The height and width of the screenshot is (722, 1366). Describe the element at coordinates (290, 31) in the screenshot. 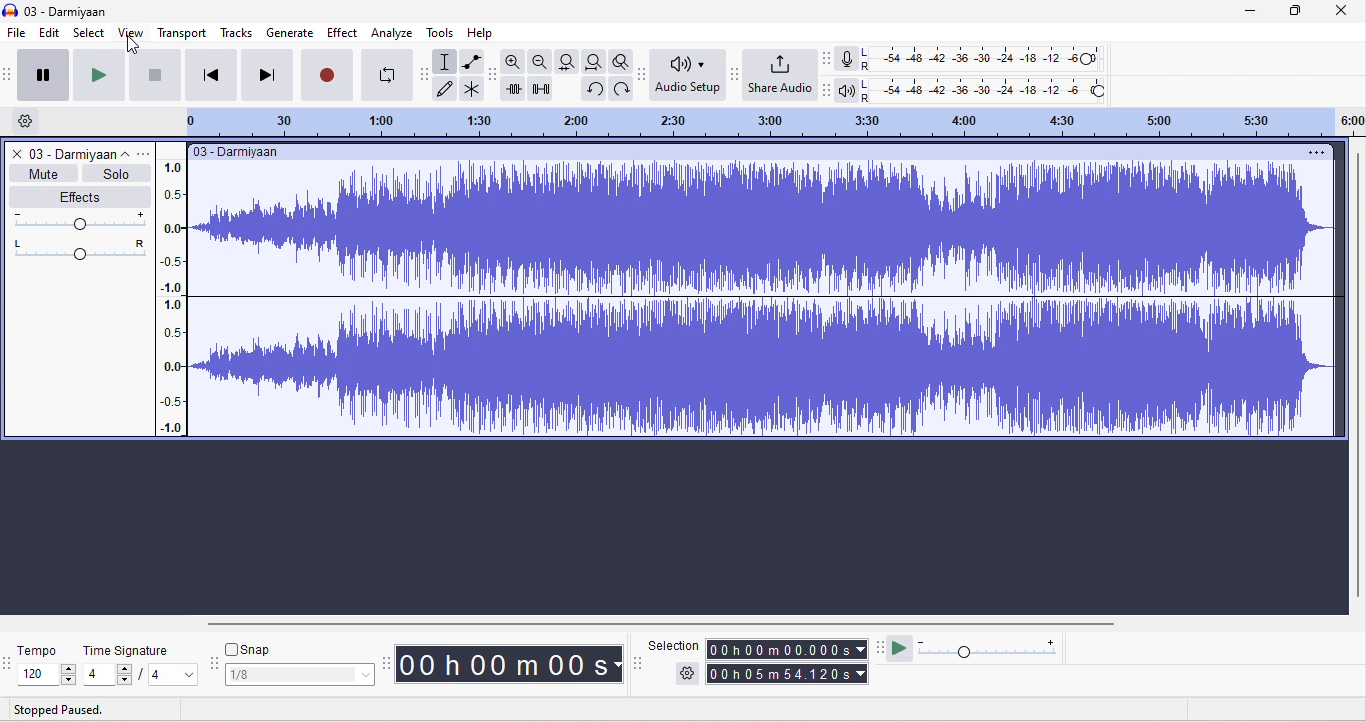

I see `generate` at that location.